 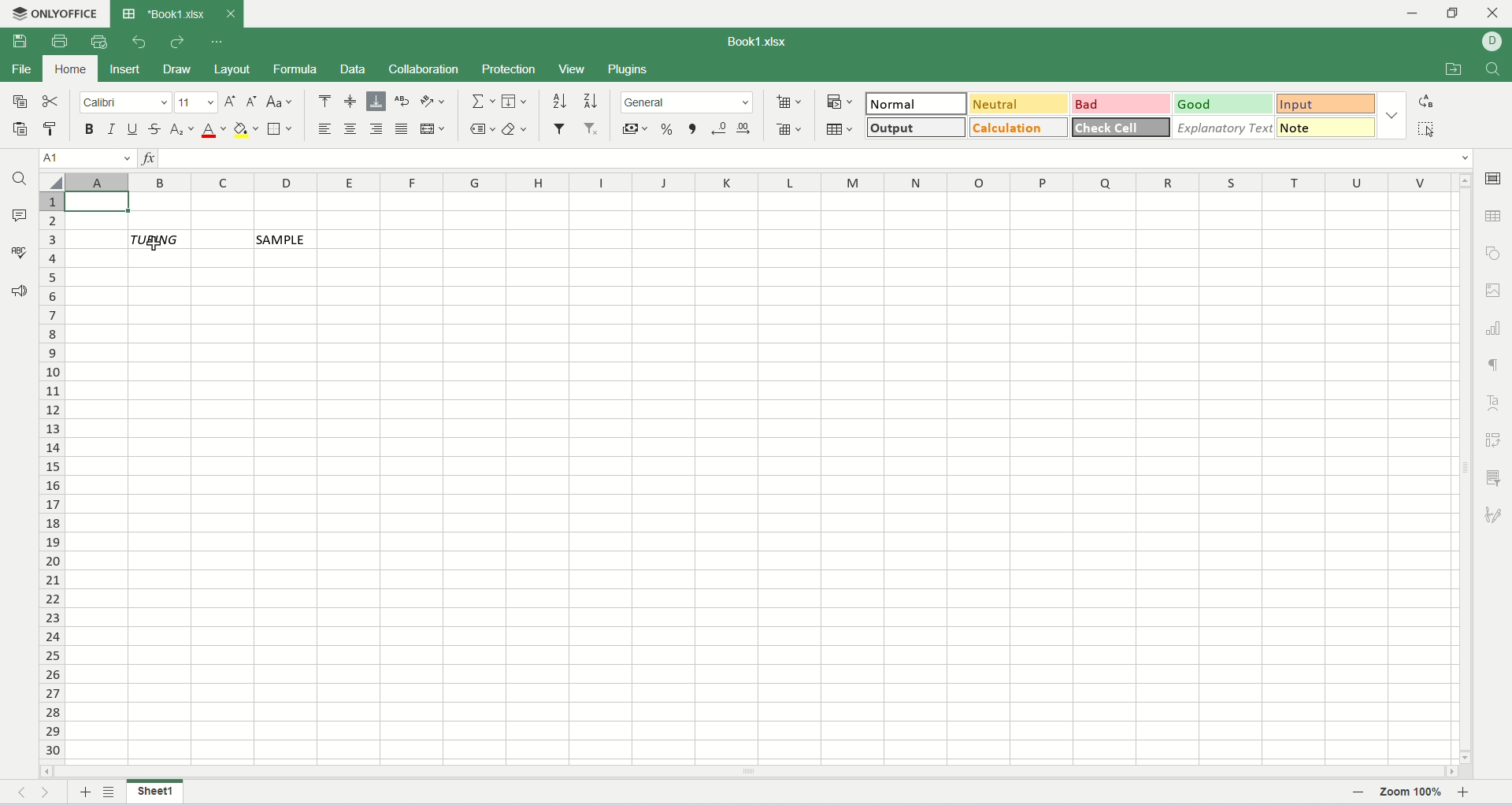 What do you see at coordinates (1021, 127) in the screenshot?
I see `calculation` at bounding box center [1021, 127].